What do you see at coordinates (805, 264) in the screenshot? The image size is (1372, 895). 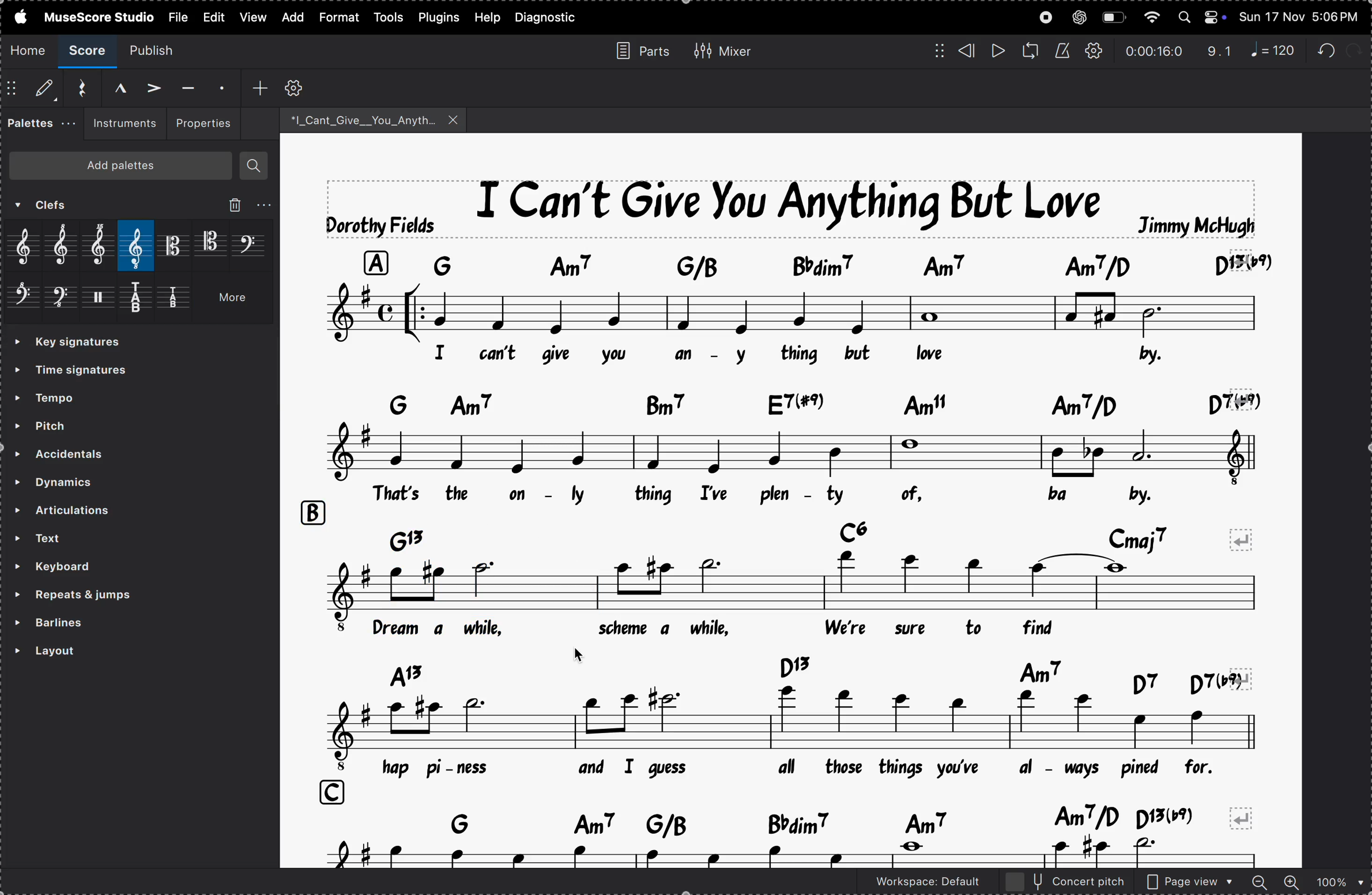 I see `note keys` at bounding box center [805, 264].